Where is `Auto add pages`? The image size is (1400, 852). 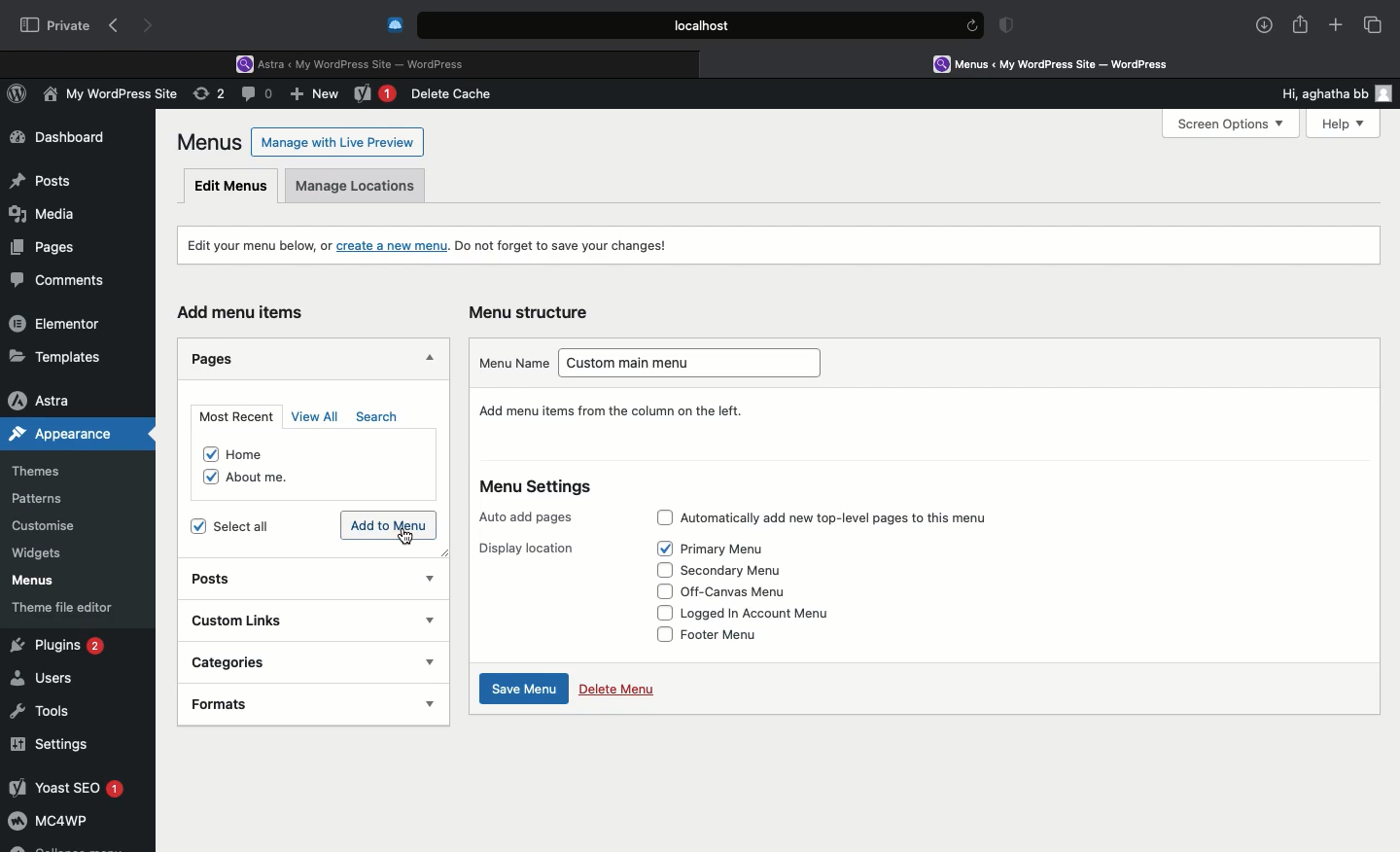
Auto add pages is located at coordinates (530, 513).